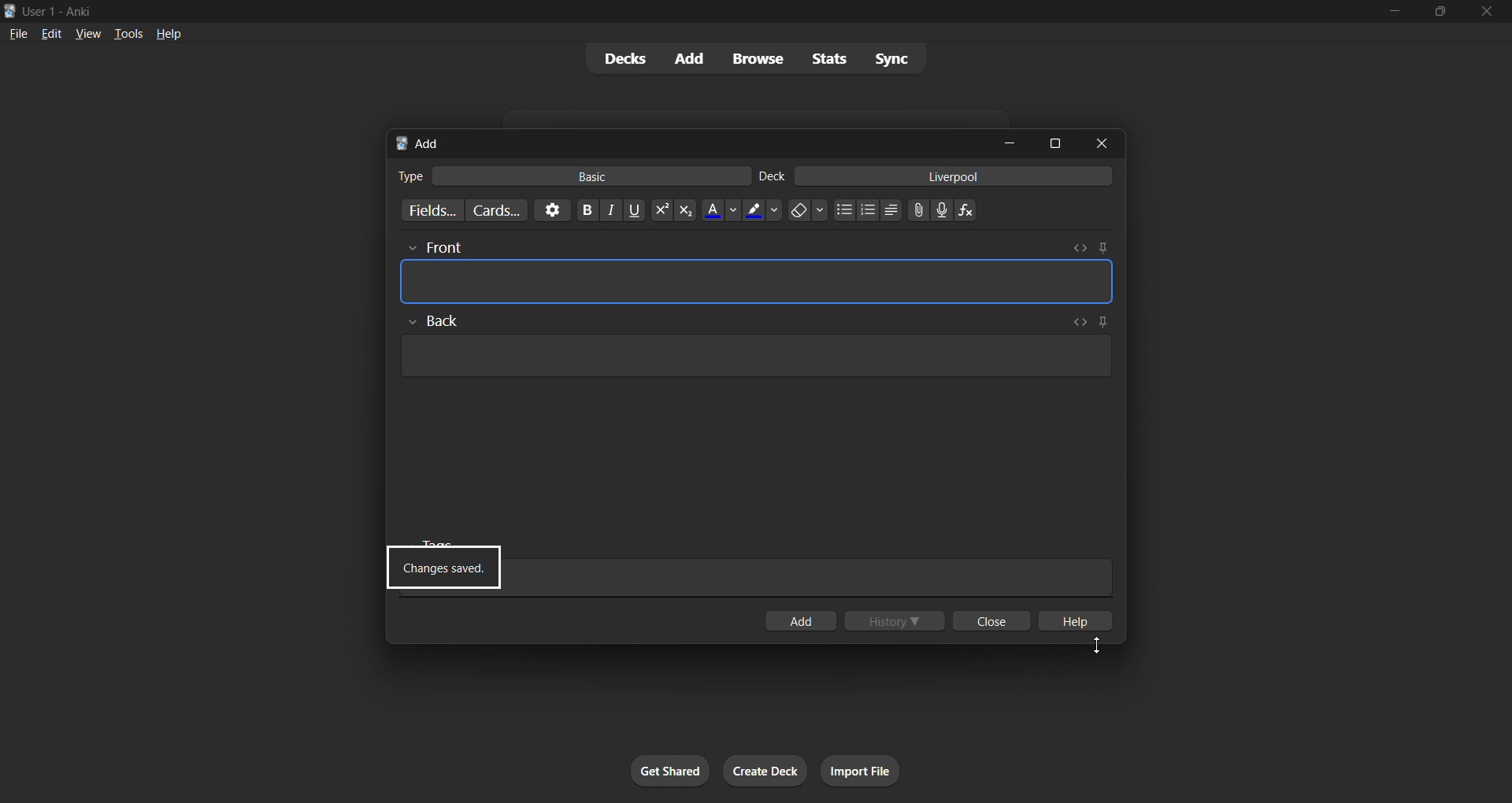 The height and width of the screenshot is (803, 1512). Describe the element at coordinates (893, 620) in the screenshot. I see `history` at that location.